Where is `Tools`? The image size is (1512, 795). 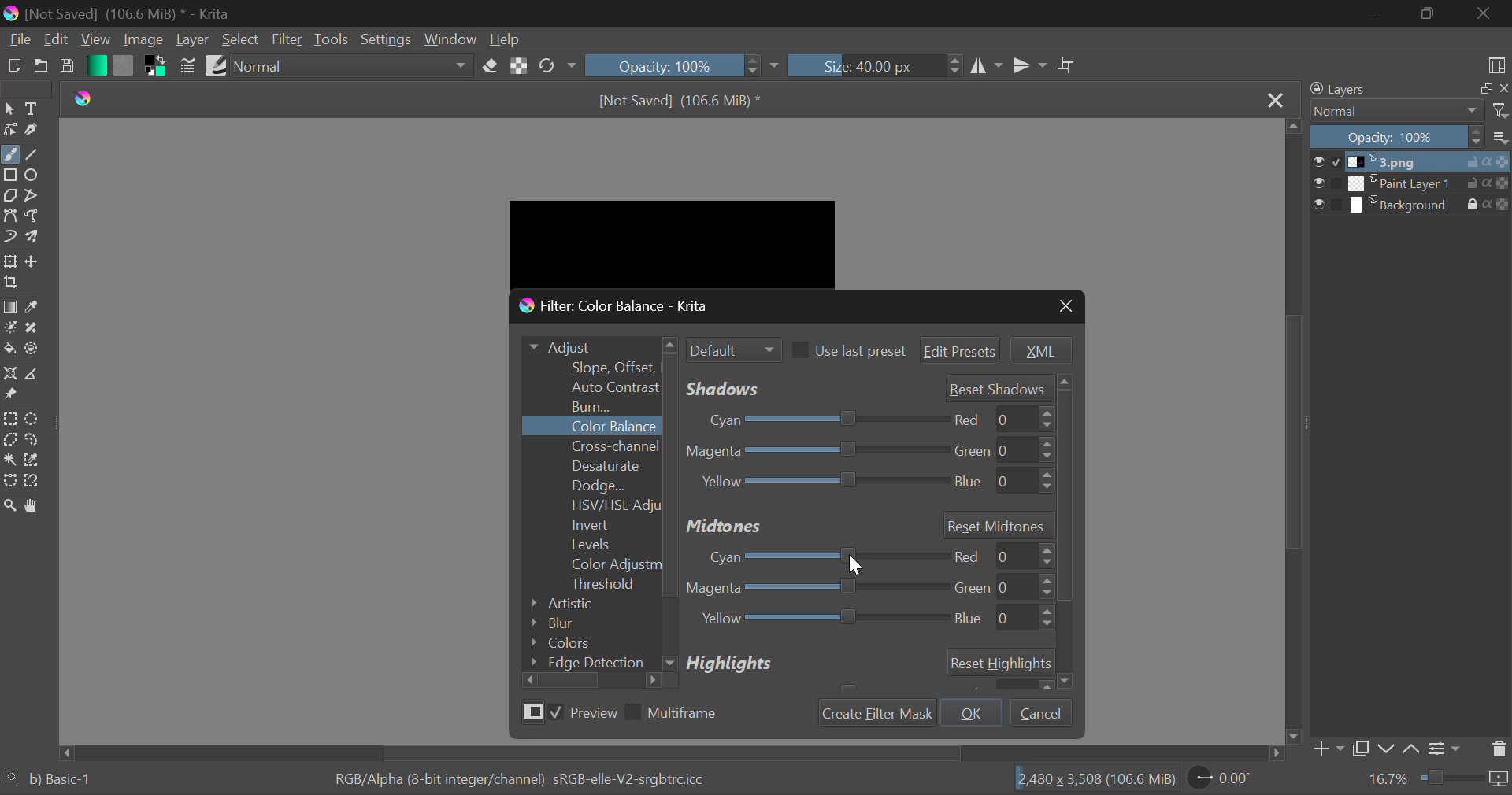
Tools is located at coordinates (332, 41).